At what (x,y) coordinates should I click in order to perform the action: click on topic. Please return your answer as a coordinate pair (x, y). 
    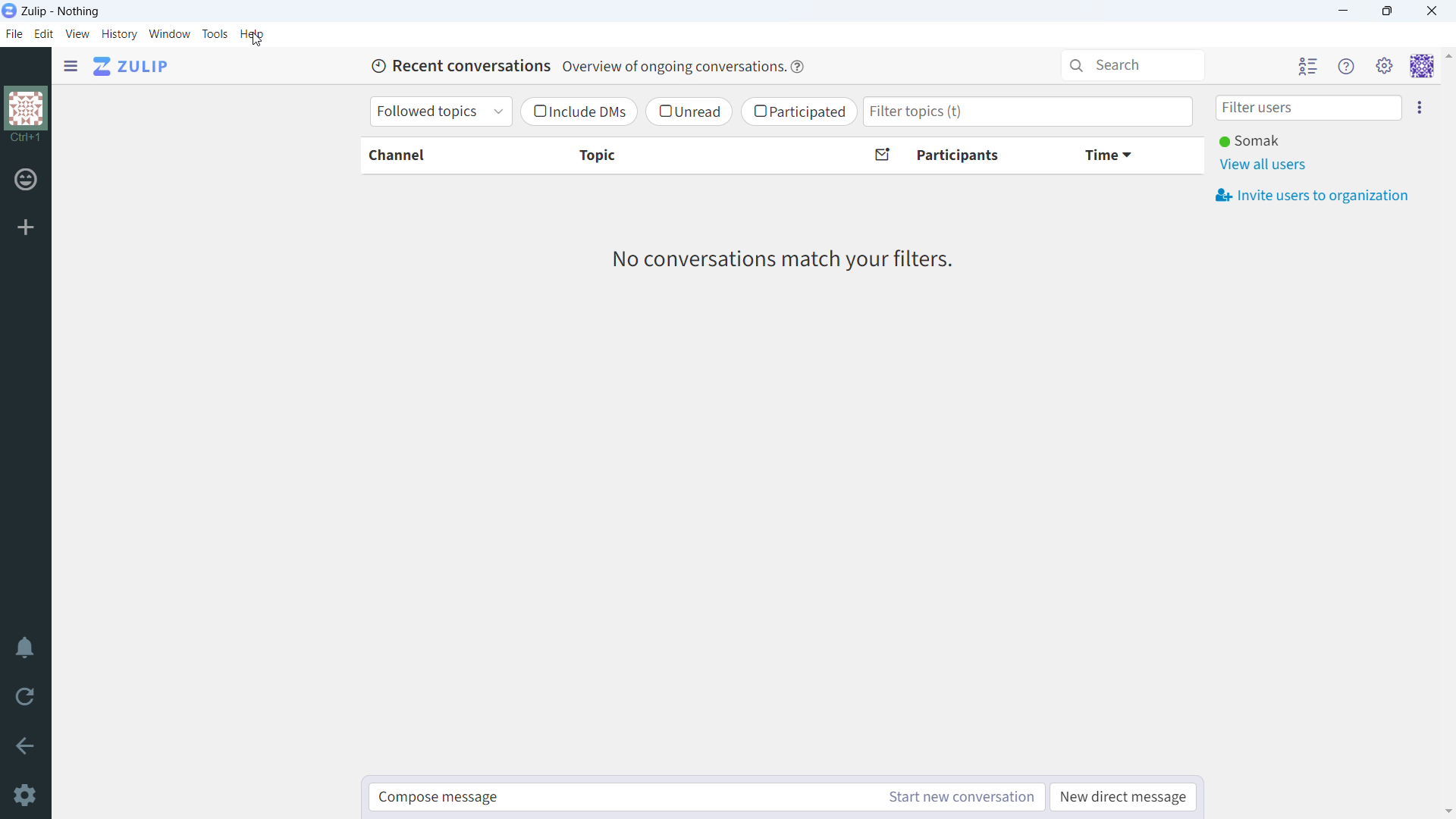
    Looking at the image, I should click on (689, 156).